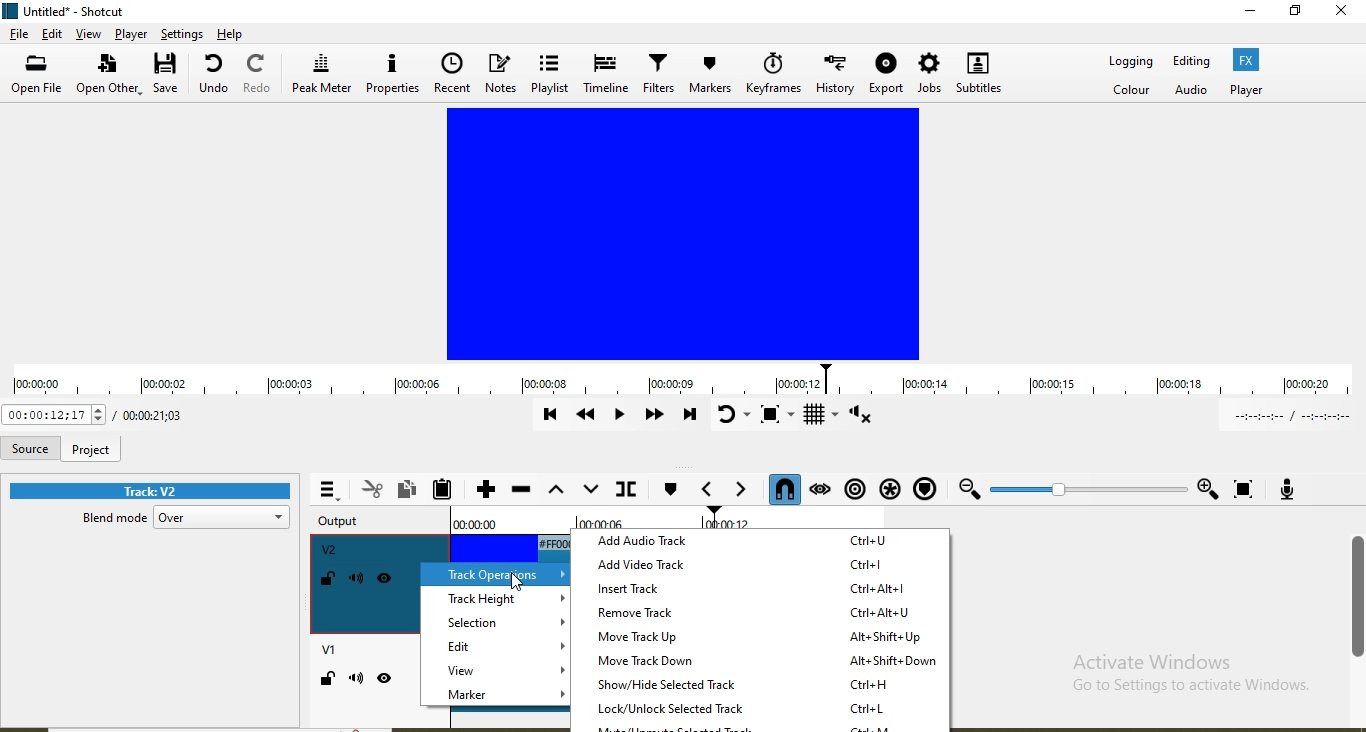 Image resolution: width=1366 pixels, height=732 pixels. Describe the element at coordinates (763, 540) in the screenshot. I see `add audio track` at that location.